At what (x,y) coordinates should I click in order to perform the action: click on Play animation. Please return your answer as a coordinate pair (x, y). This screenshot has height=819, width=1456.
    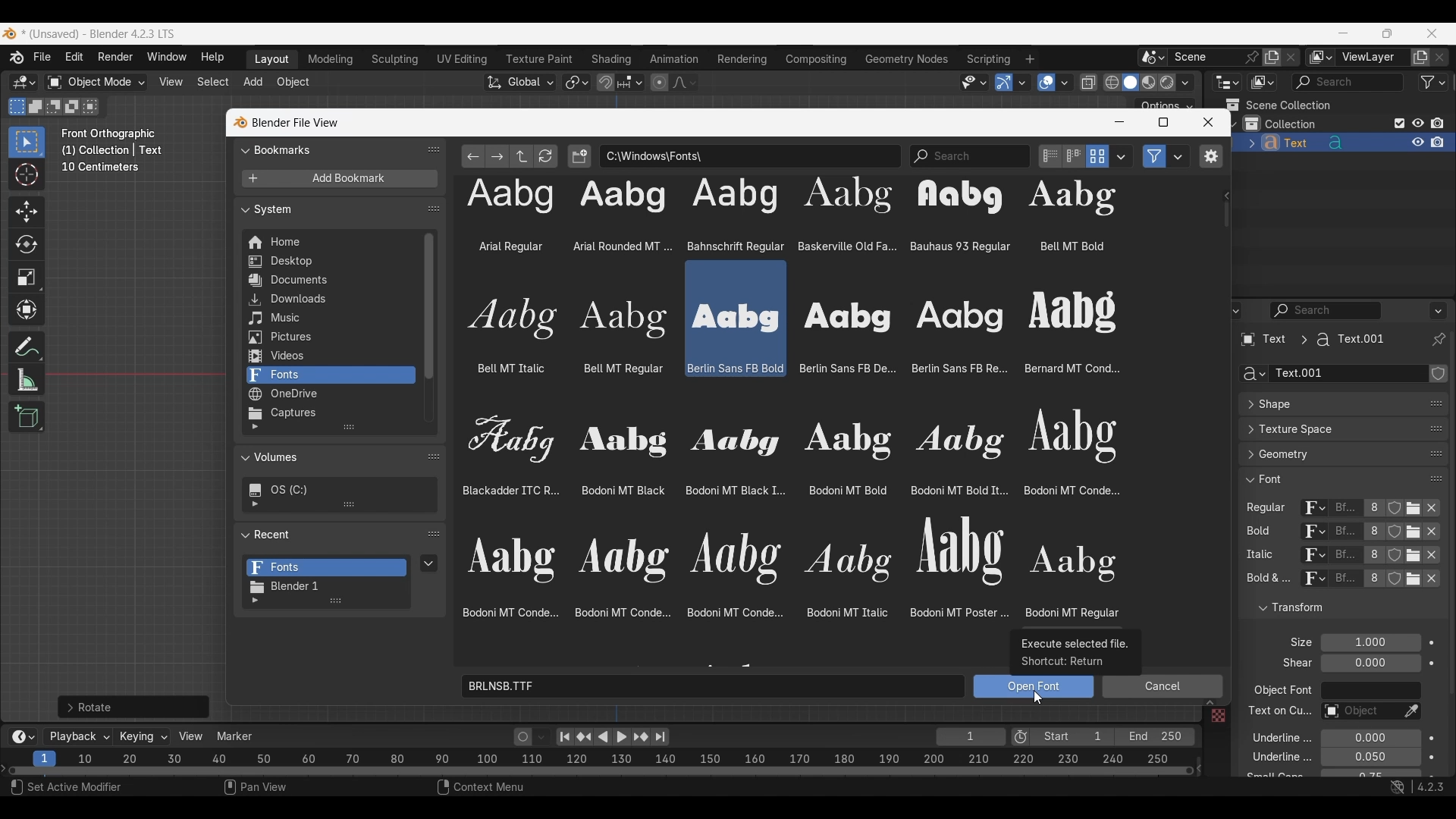
    Looking at the image, I should click on (611, 737).